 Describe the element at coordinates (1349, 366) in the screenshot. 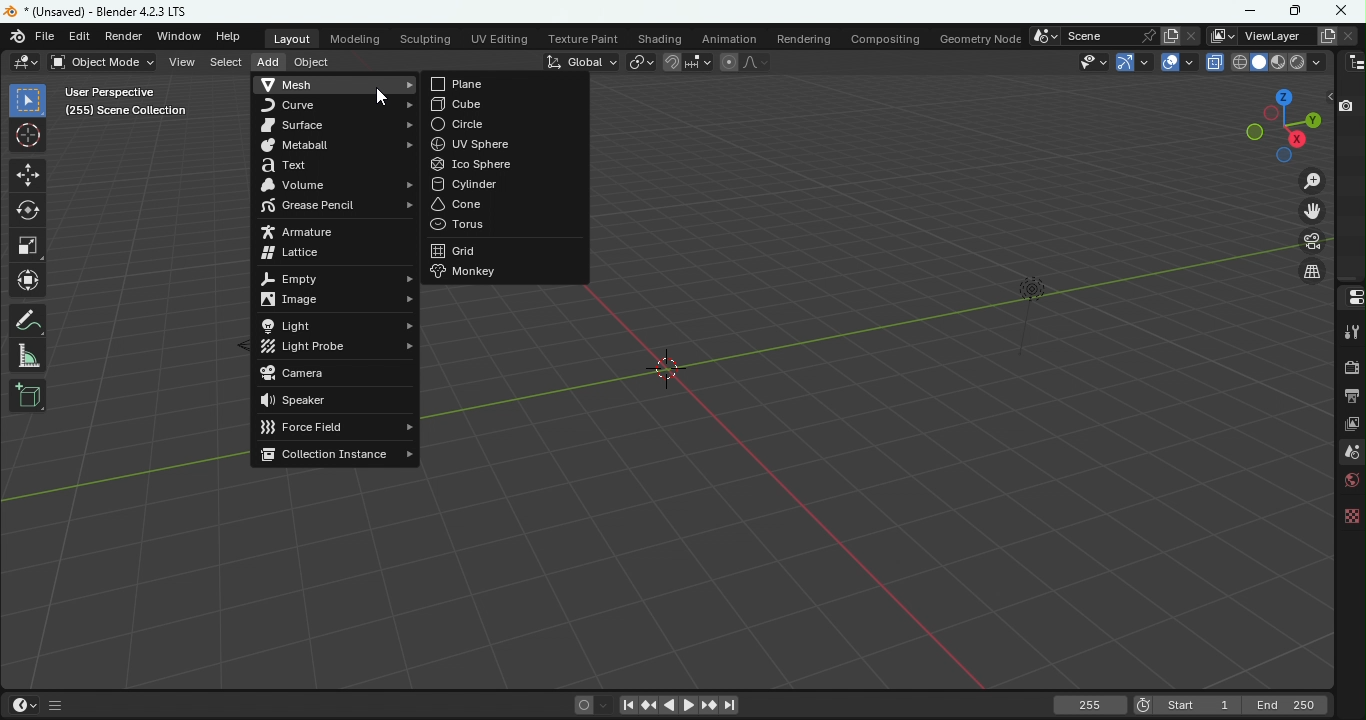

I see `Render` at that location.